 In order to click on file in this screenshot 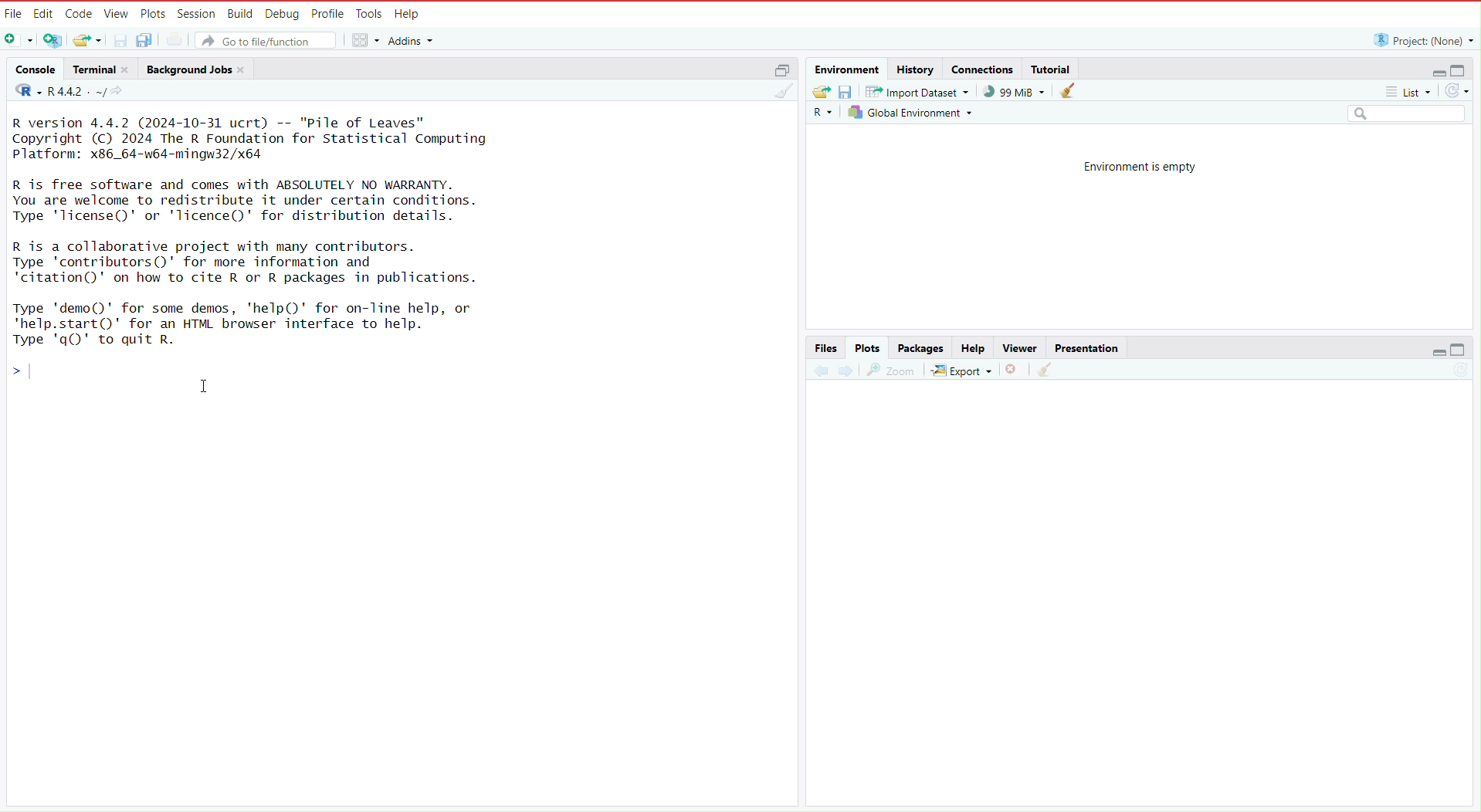, I will do `click(14, 12)`.